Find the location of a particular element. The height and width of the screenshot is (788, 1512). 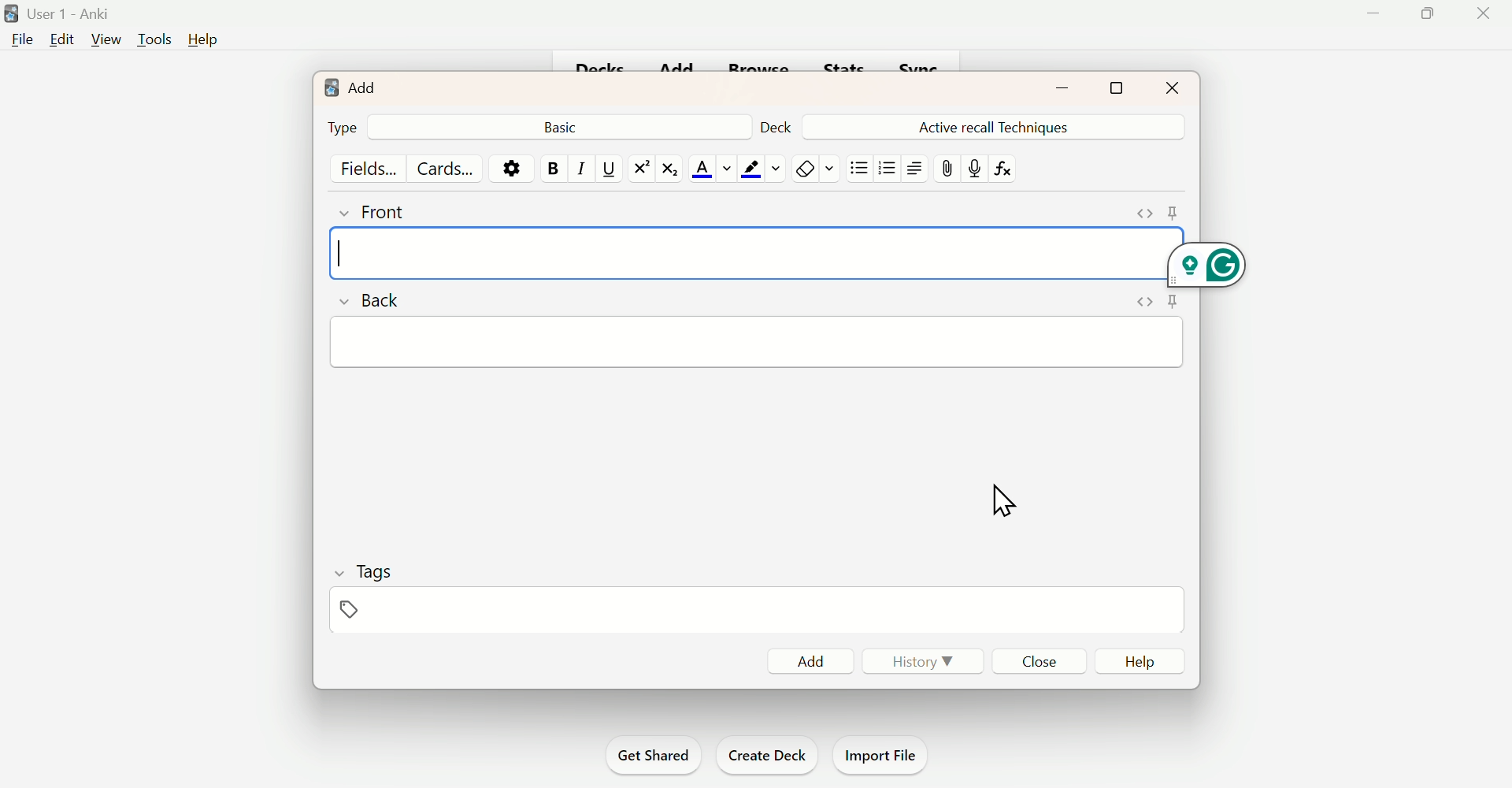

Text Color is located at coordinates (708, 167).